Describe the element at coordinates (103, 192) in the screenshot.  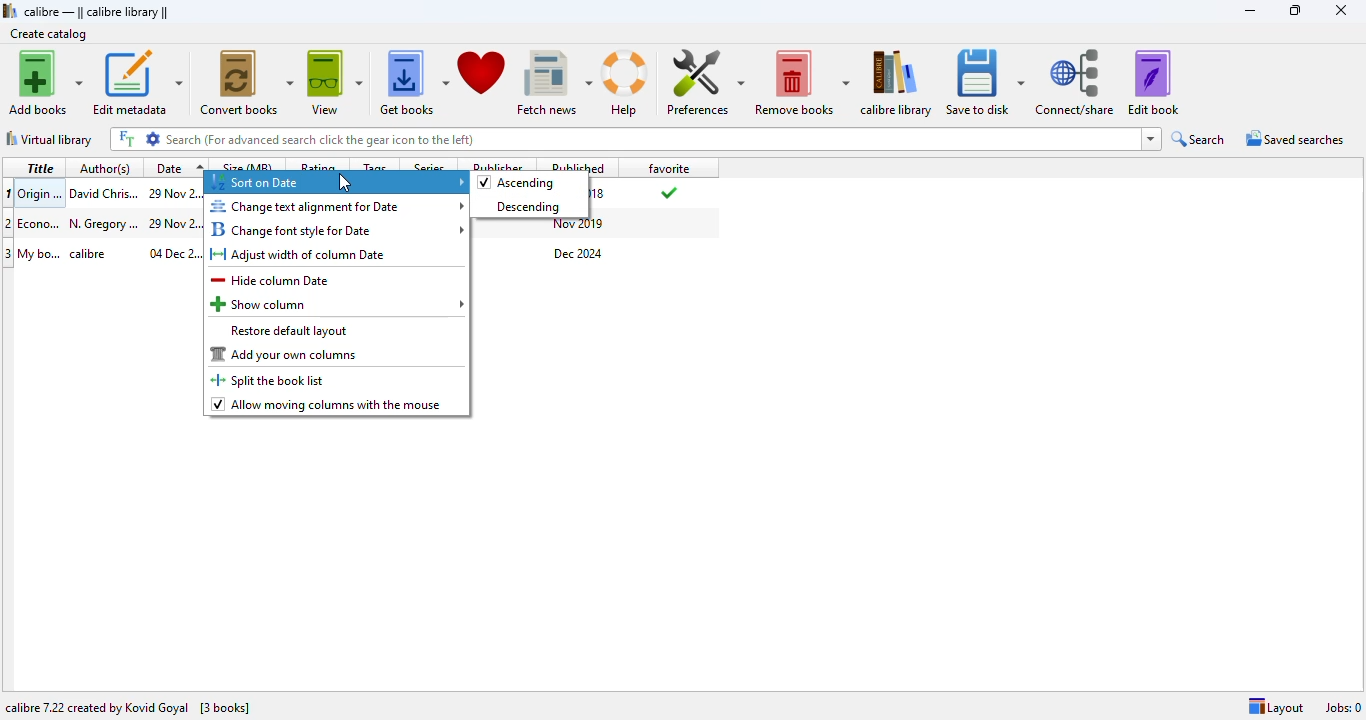
I see `author` at that location.